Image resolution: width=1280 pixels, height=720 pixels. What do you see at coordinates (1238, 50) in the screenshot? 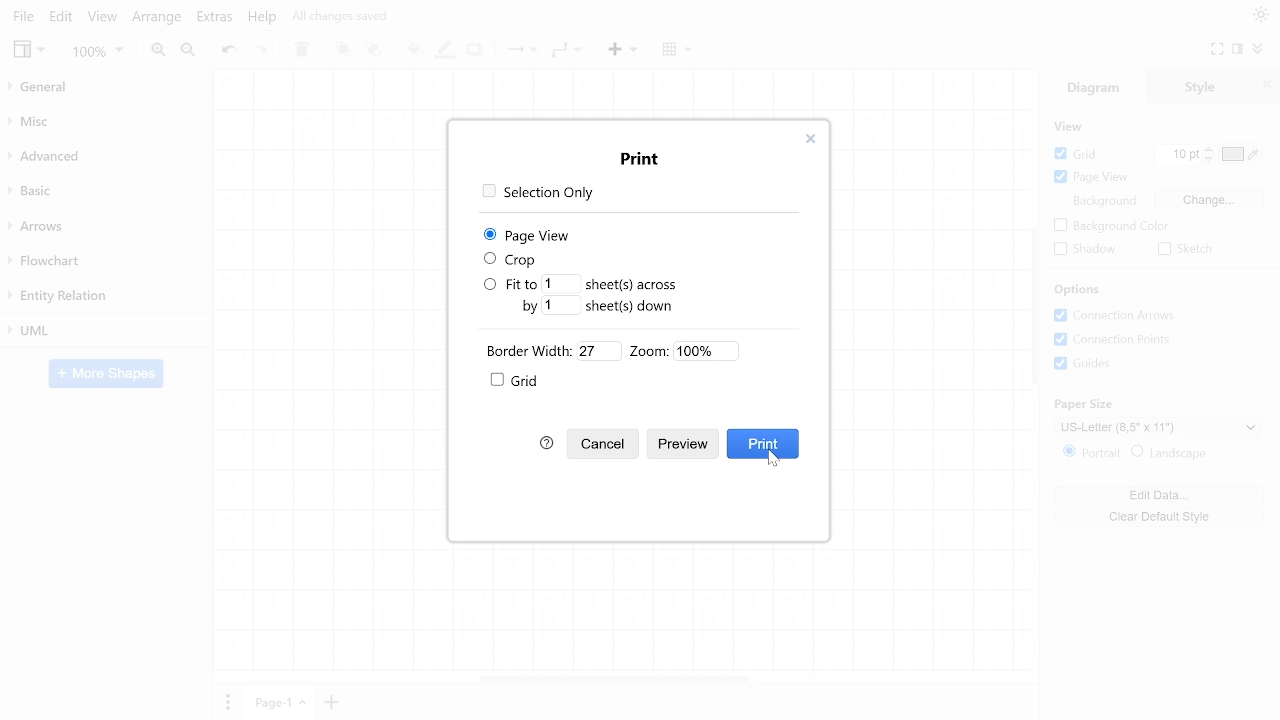
I see `Format` at bounding box center [1238, 50].